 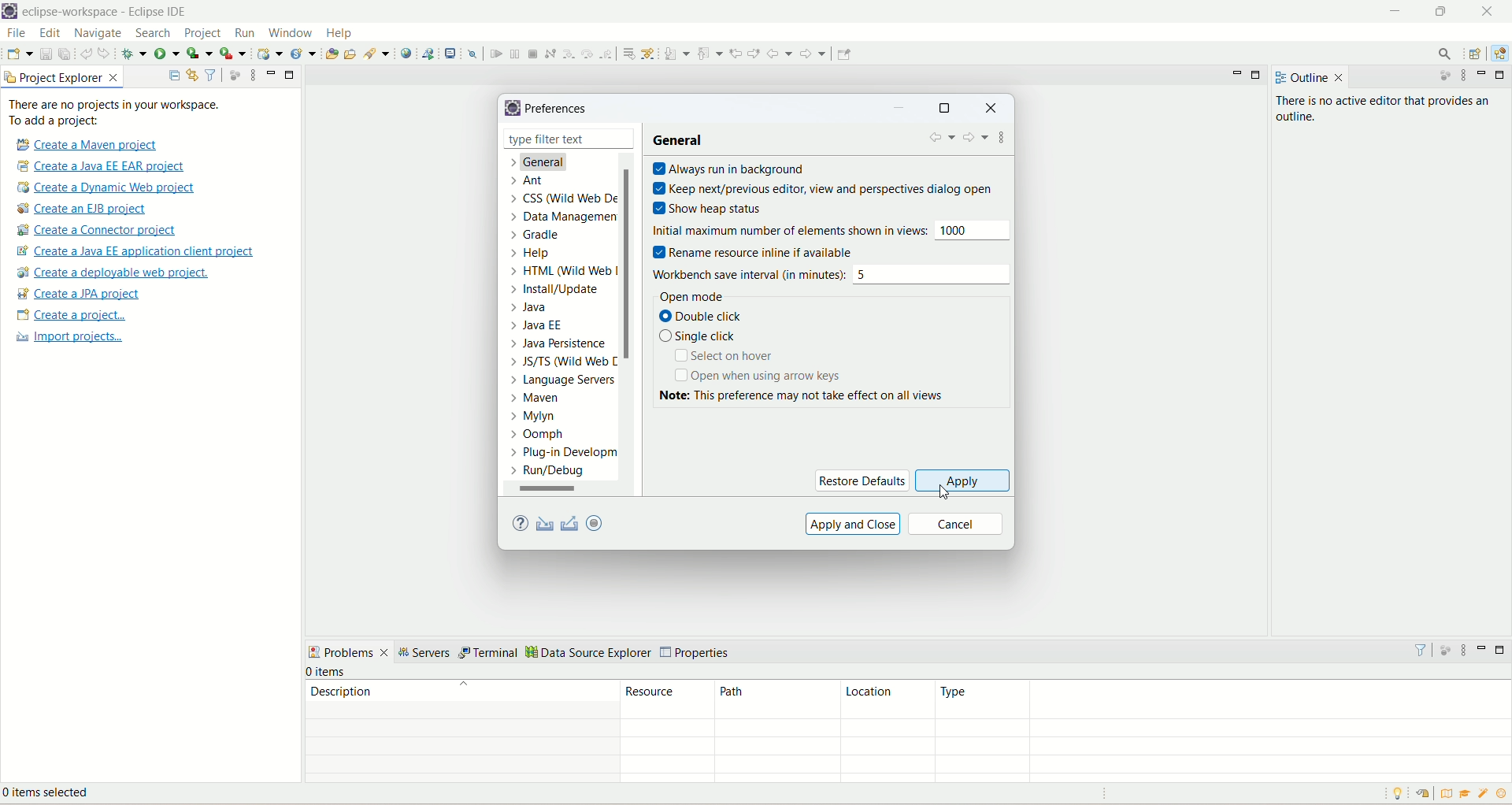 What do you see at coordinates (607, 54) in the screenshot?
I see `step return` at bounding box center [607, 54].